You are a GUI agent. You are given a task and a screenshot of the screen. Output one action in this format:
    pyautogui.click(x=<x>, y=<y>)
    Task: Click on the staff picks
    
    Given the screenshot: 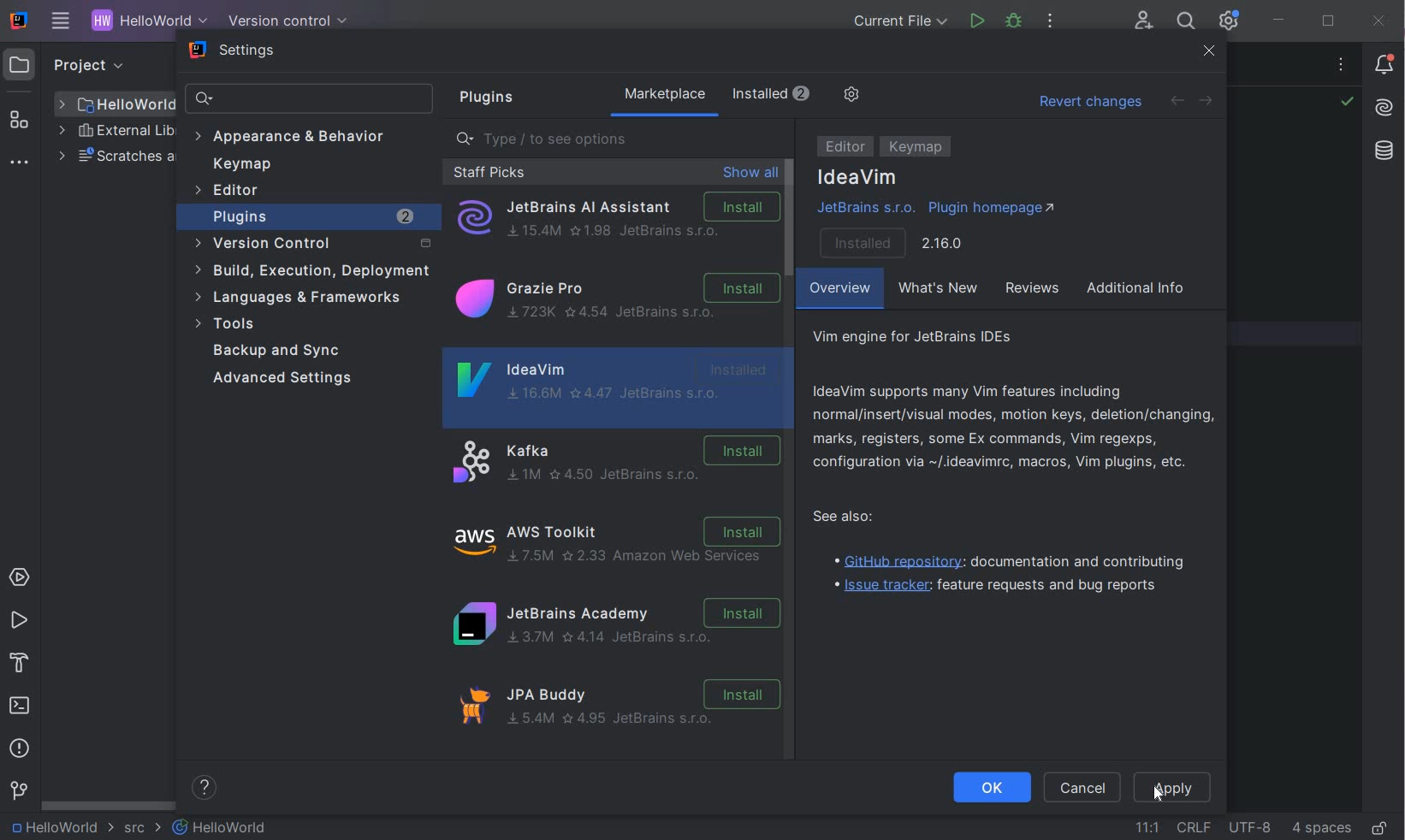 What is the action you would take?
    pyautogui.click(x=489, y=172)
    